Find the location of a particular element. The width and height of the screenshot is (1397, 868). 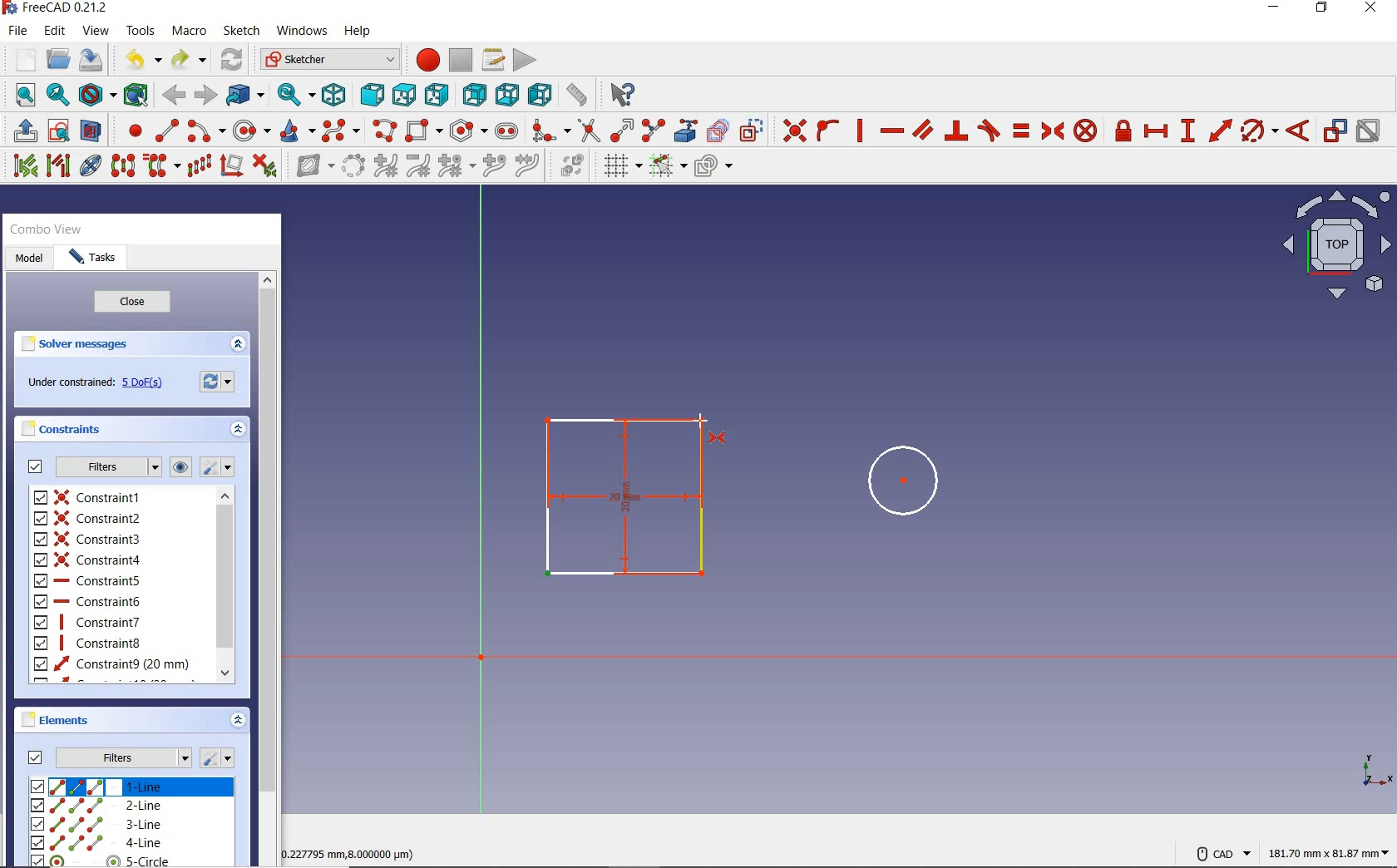

under constrained:  is located at coordinates (72, 384).